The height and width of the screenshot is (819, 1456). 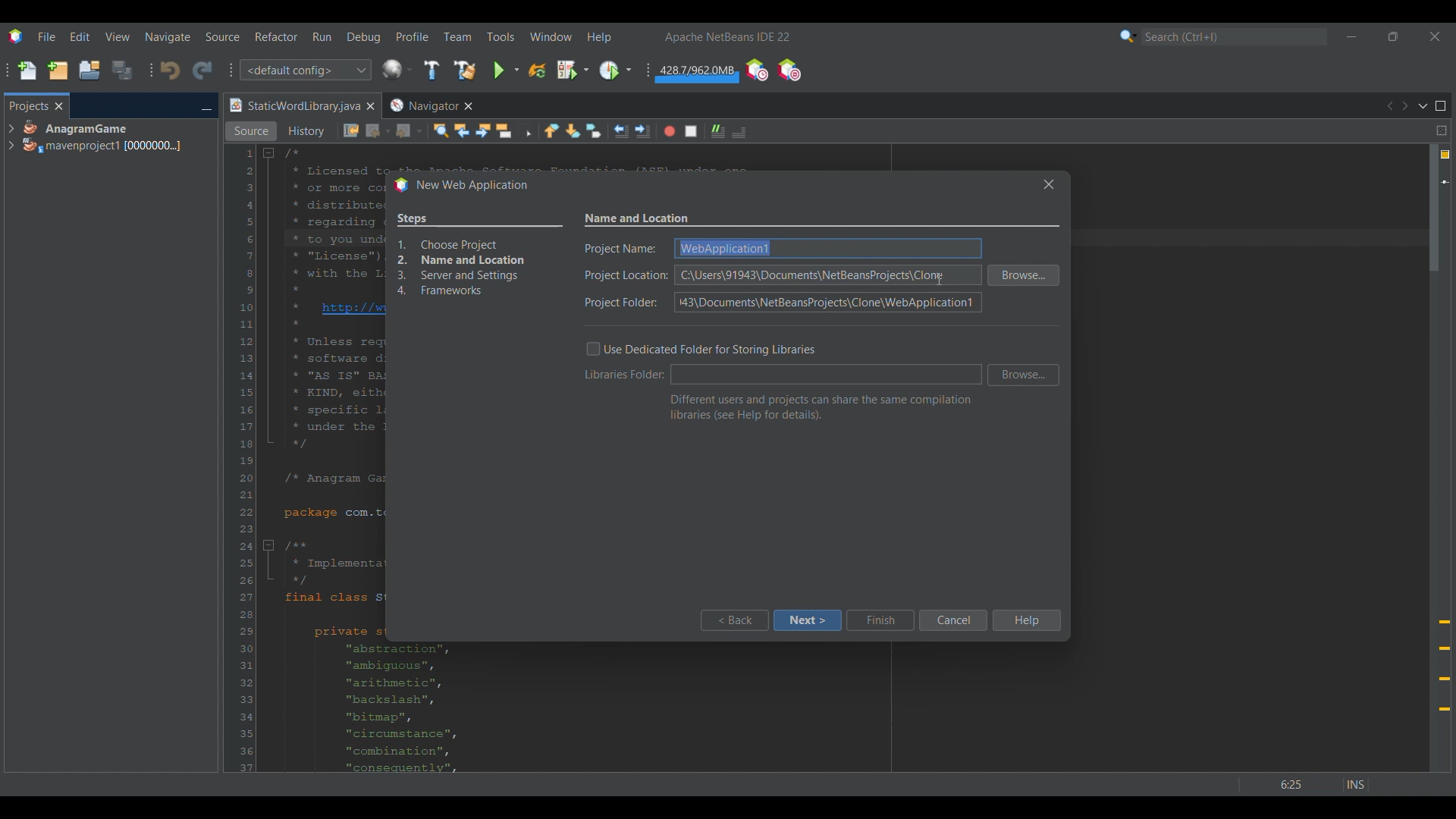 I want to click on Show in smaller tab, so click(x=1393, y=36).